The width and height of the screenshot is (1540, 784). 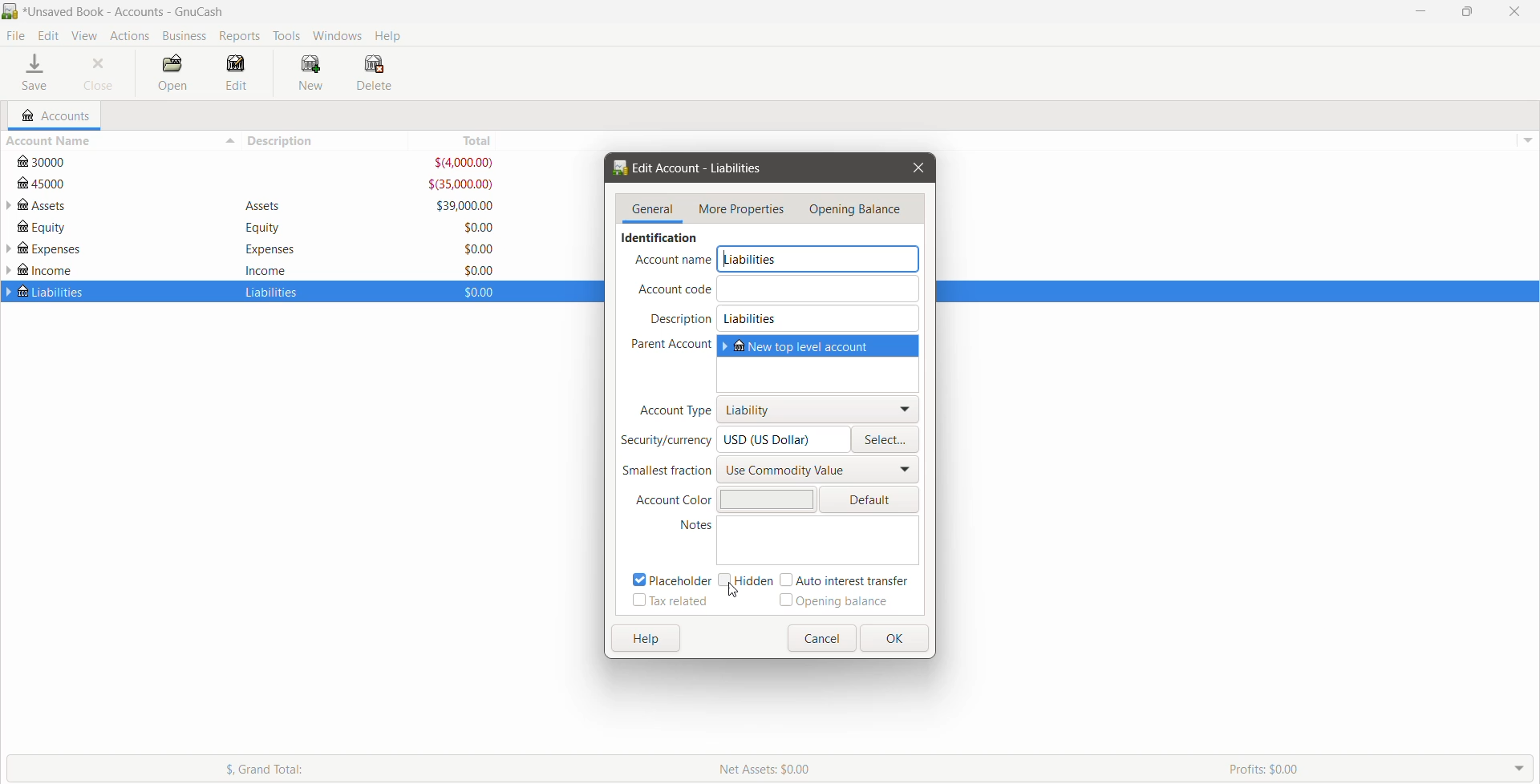 What do you see at coordinates (860, 209) in the screenshot?
I see `Opening Balance` at bounding box center [860, 209].